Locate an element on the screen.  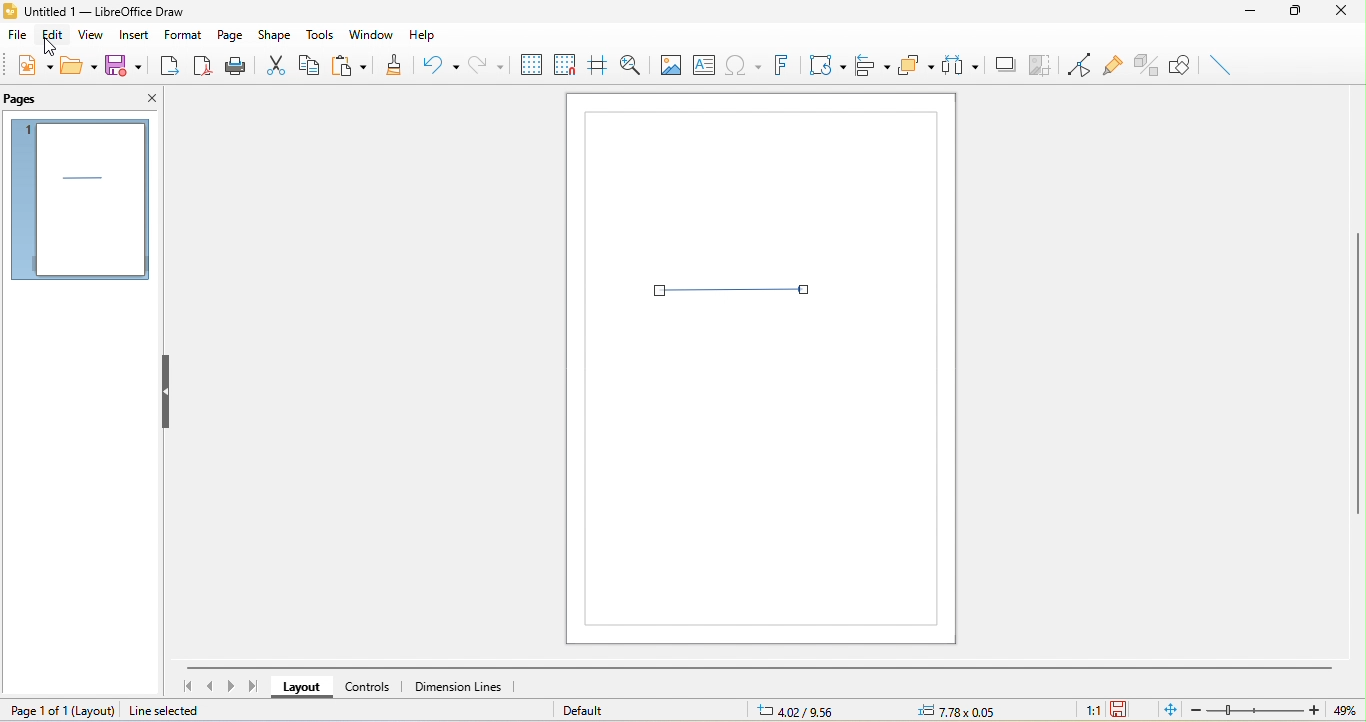
hide is located at coordinates (168, 390).